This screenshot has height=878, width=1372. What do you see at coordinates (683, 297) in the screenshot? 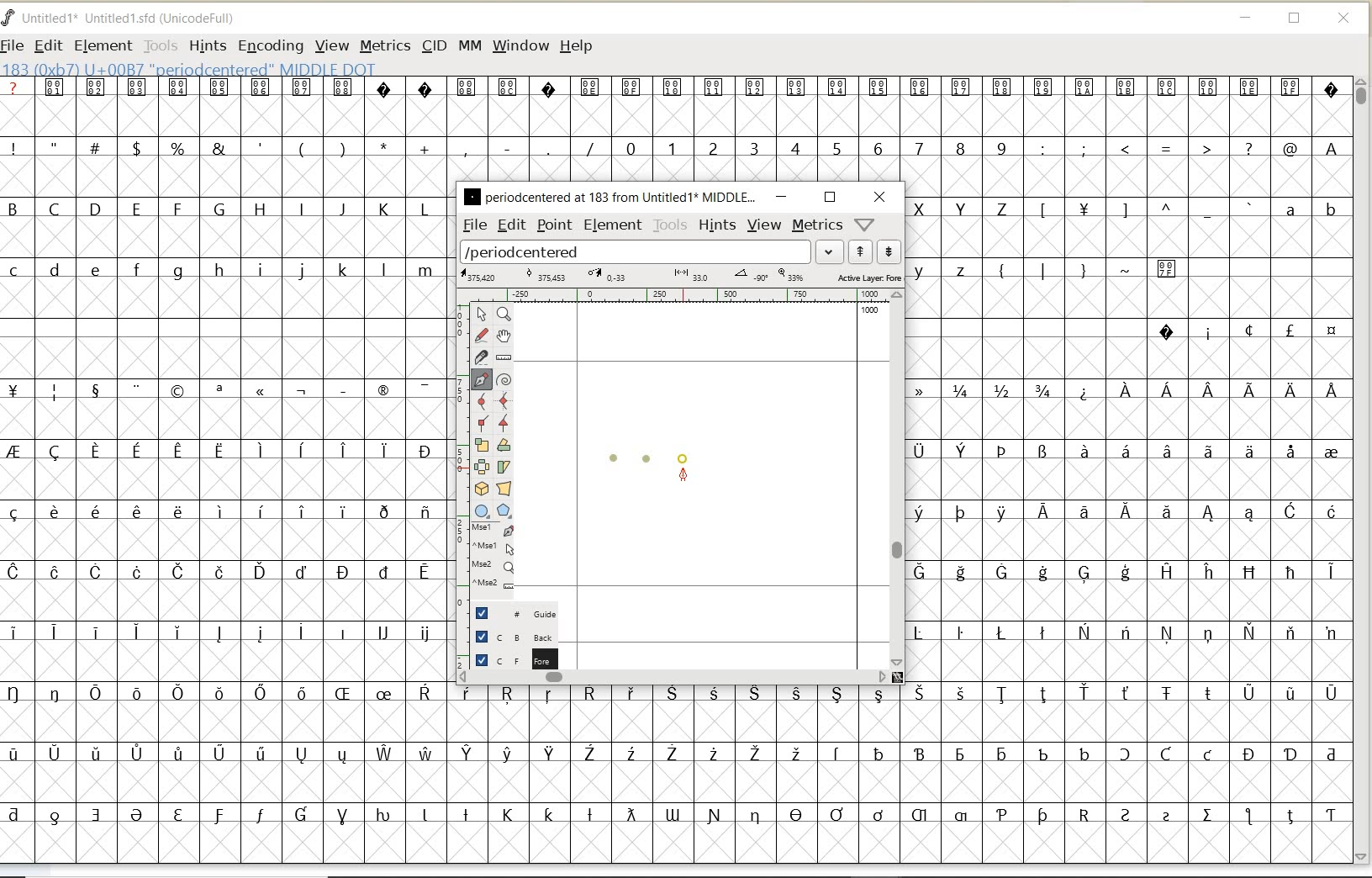
I see `ruler` at bounding box center [683, 297].